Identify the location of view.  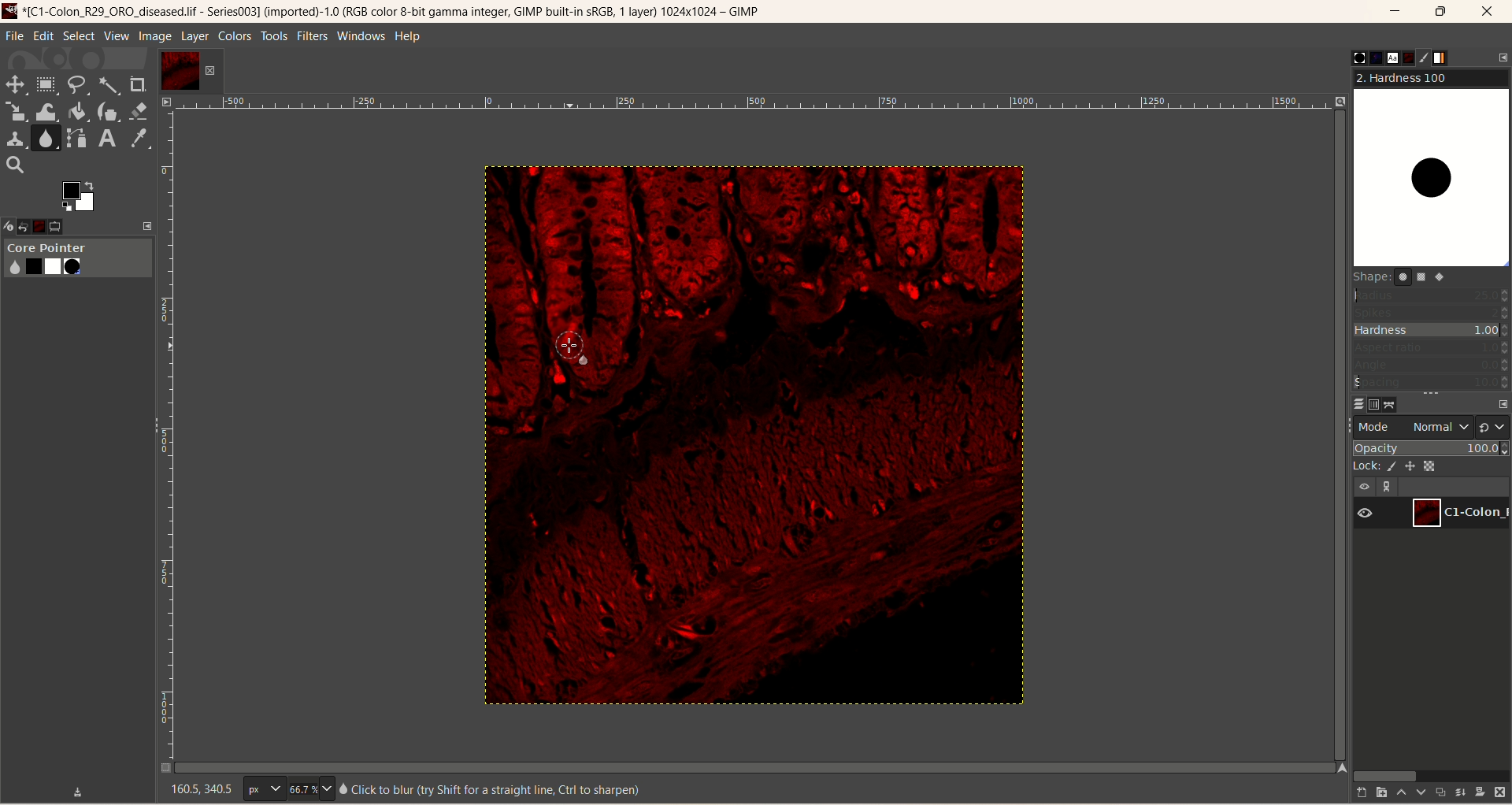
(116, 36).